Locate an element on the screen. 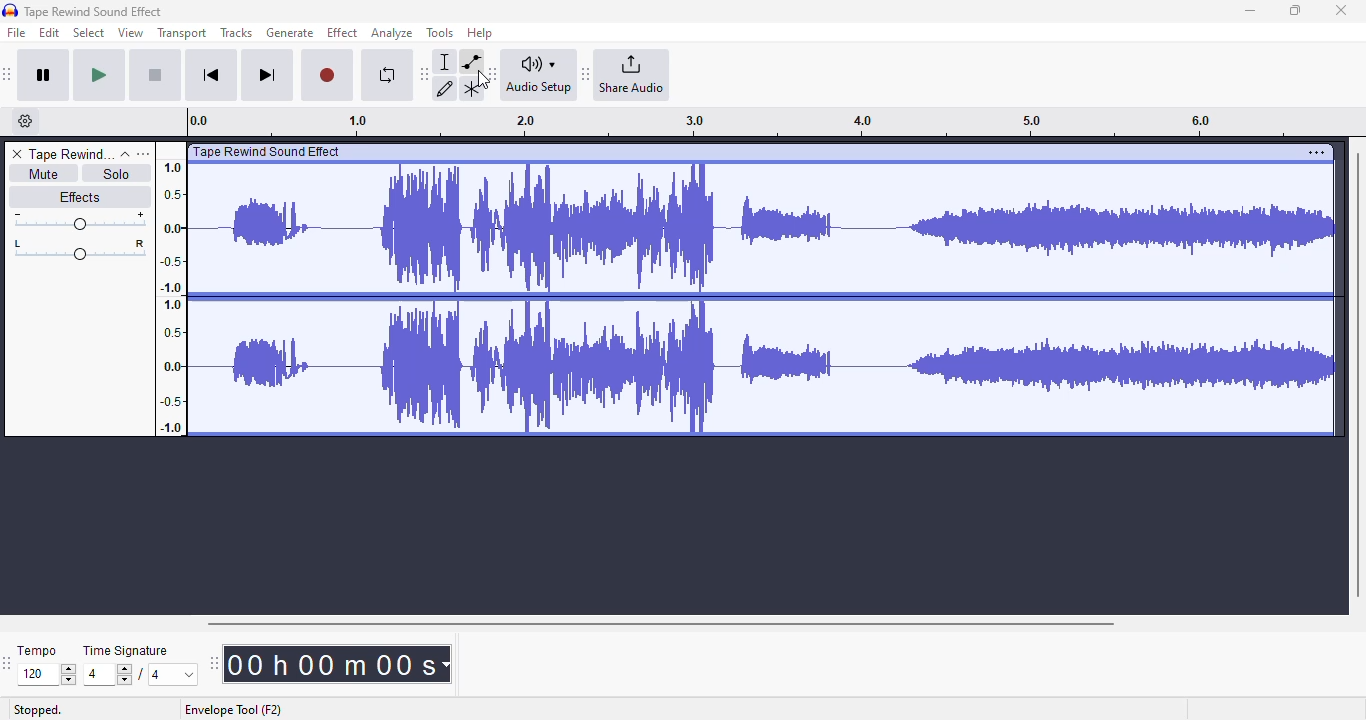  tracks is located at coordinates (236, 34).